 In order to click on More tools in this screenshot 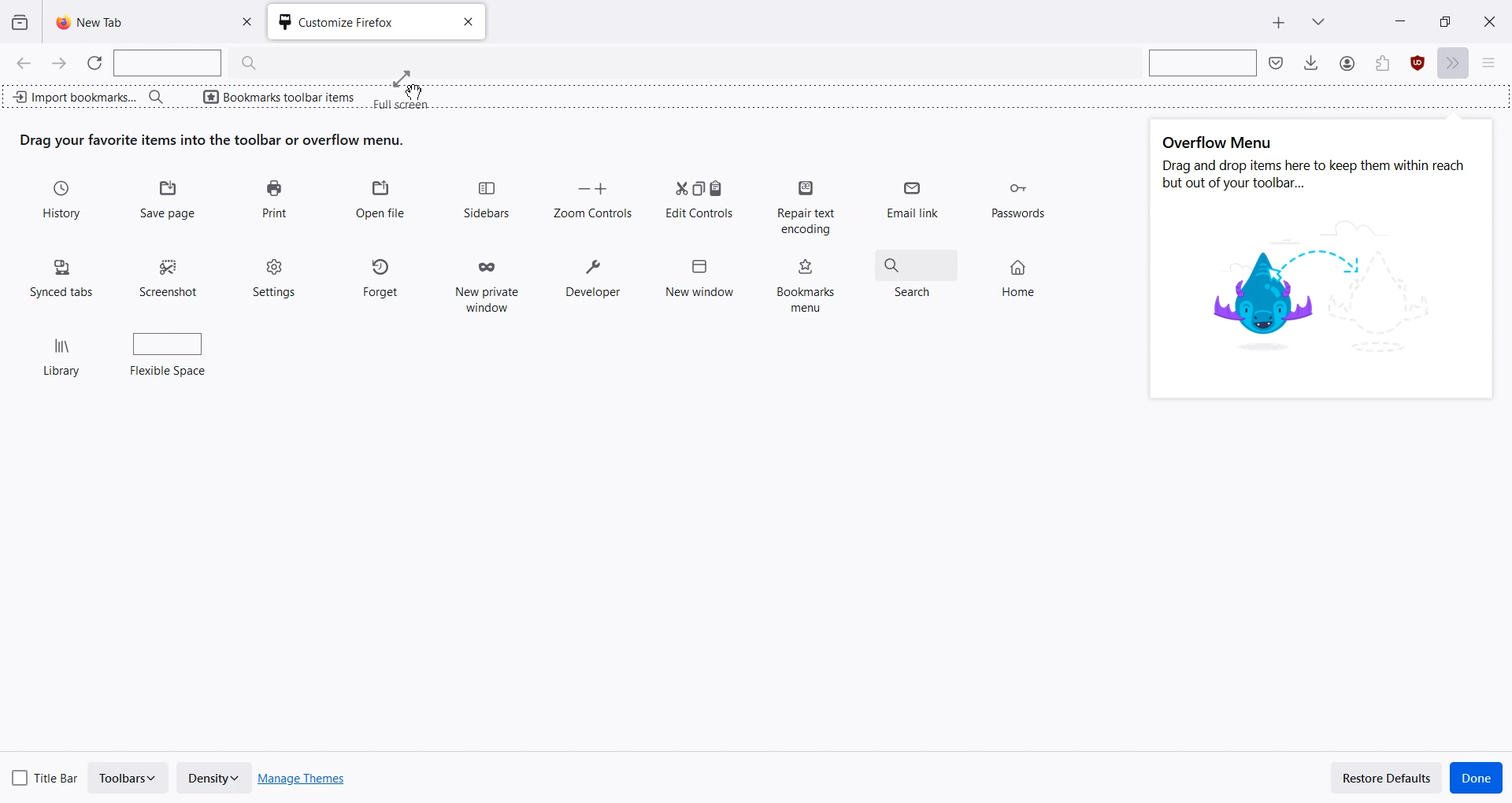, I will do `click(1456, 64)`.